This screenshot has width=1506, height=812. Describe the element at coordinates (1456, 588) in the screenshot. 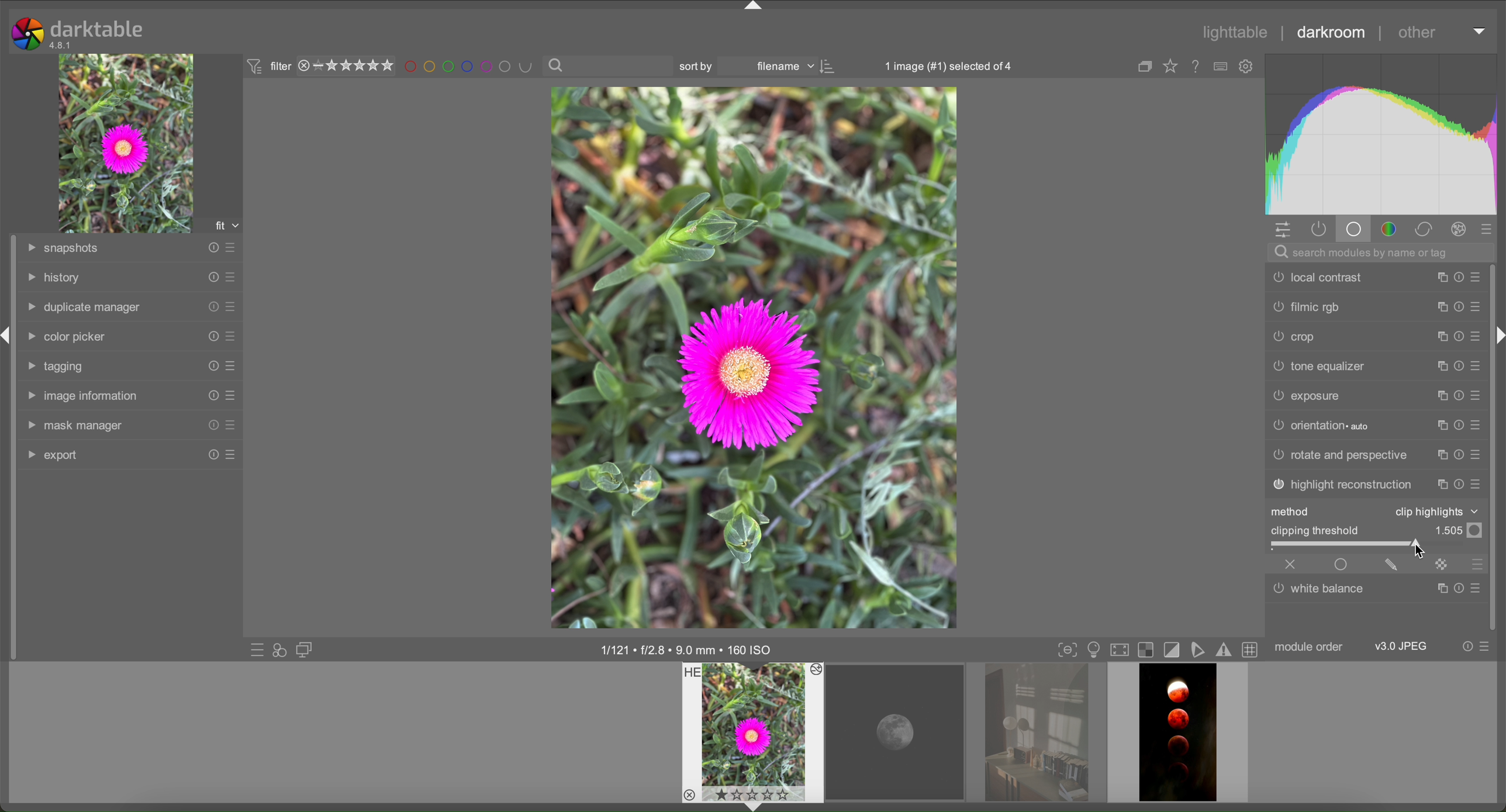

I see `reset presets` at that location.